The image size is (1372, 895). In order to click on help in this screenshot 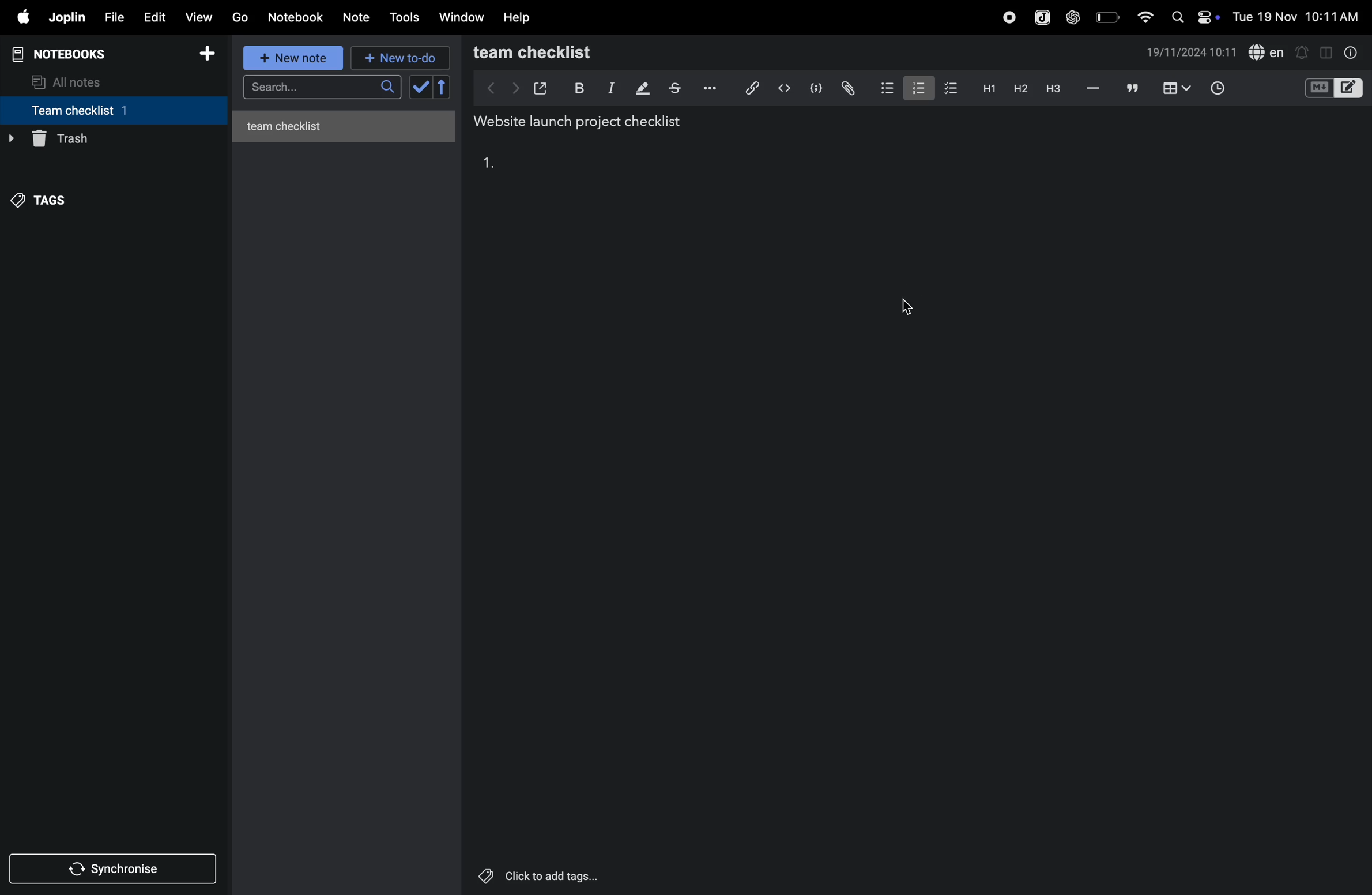, I will do `click(520, 17)`.